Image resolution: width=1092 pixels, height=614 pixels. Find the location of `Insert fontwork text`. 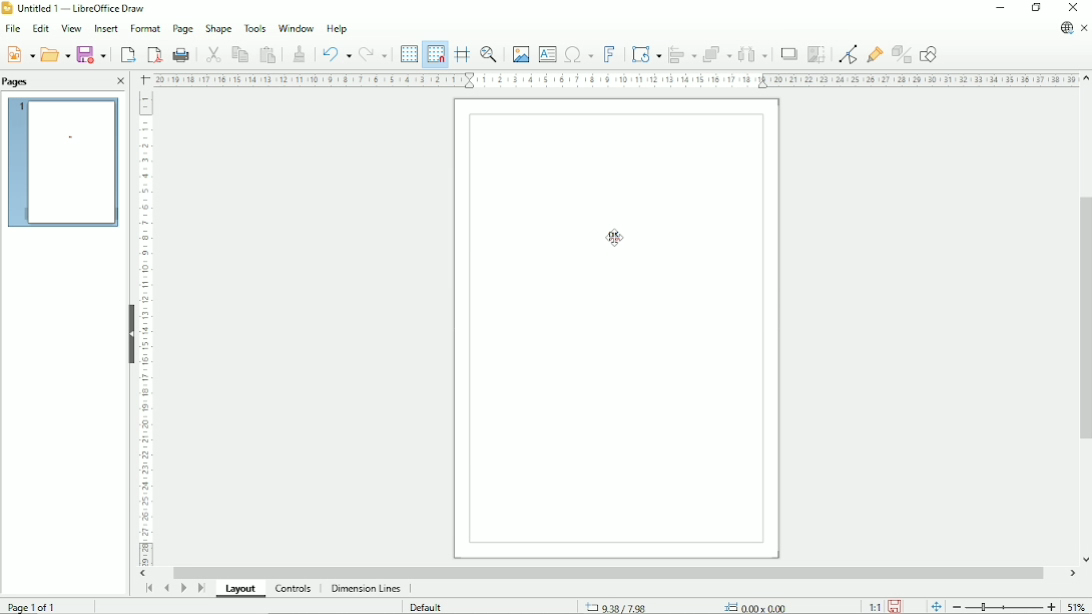

Insert fontwork text is located at coordinates (609, 53).